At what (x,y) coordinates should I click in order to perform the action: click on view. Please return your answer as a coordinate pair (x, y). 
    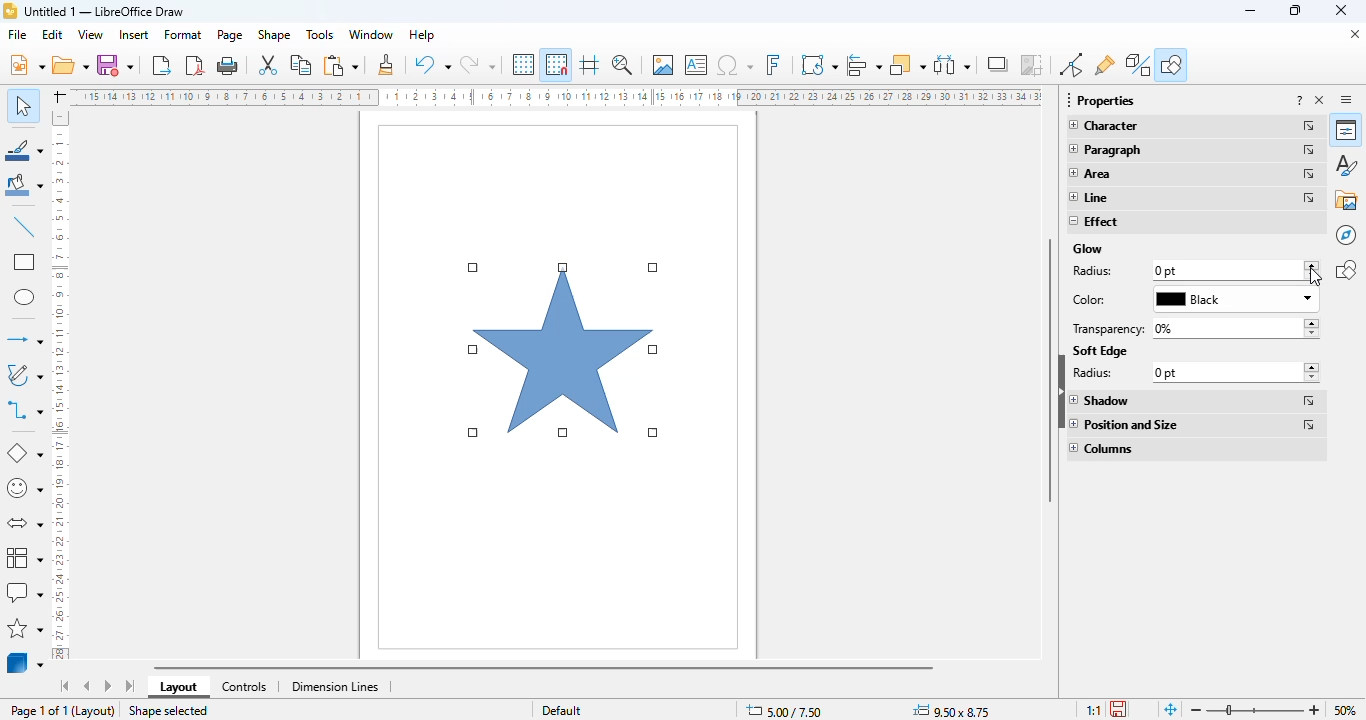
    Looking at the image, I should click on (90, 35).